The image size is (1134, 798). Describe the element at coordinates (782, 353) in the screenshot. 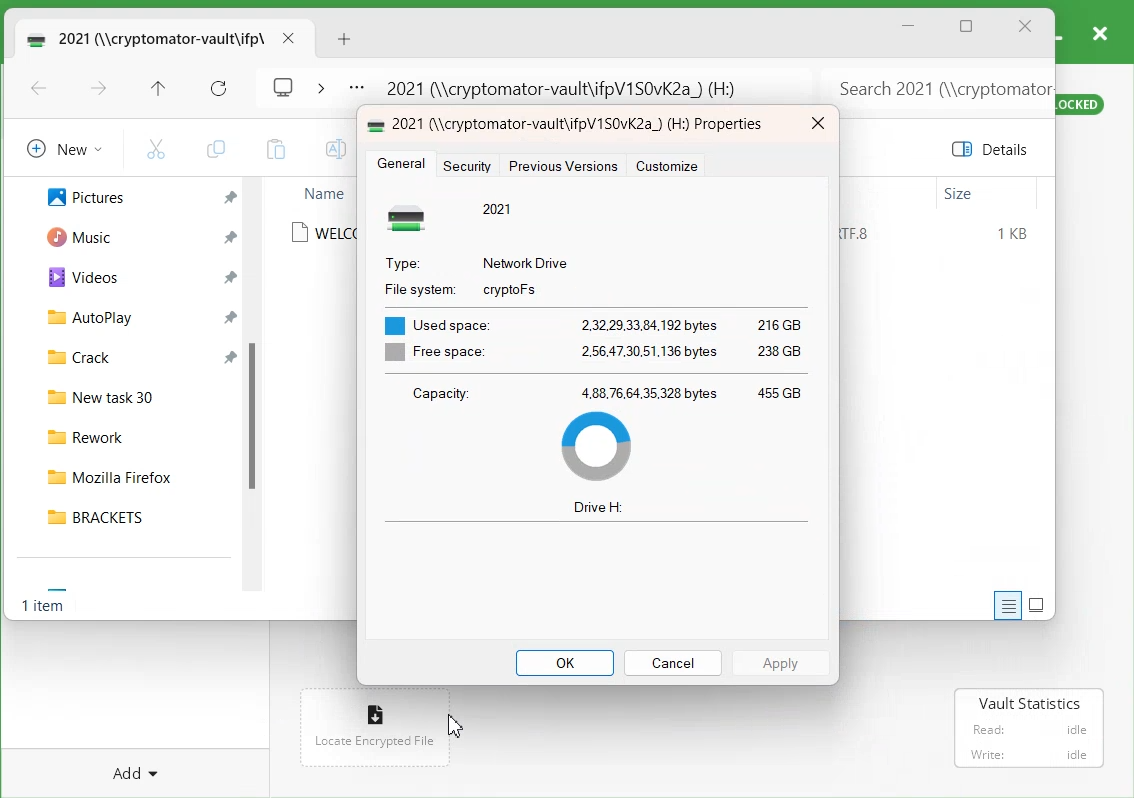

I see `238GB` at that location.